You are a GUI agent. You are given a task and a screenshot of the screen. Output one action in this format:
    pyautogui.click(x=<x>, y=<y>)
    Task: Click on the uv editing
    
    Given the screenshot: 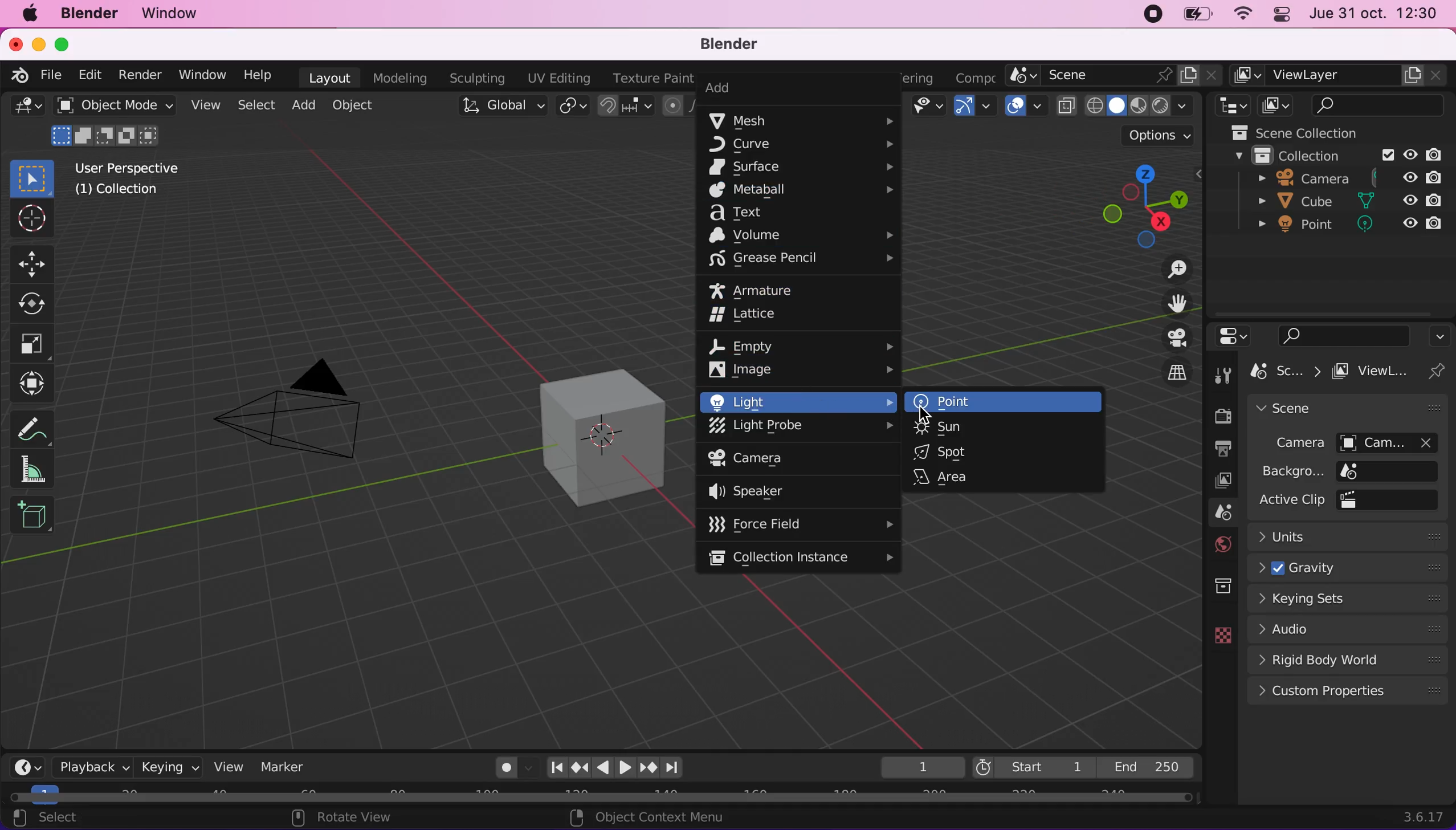 What is the action you would take?
    pyautogui.click(x=560, y=79)
    